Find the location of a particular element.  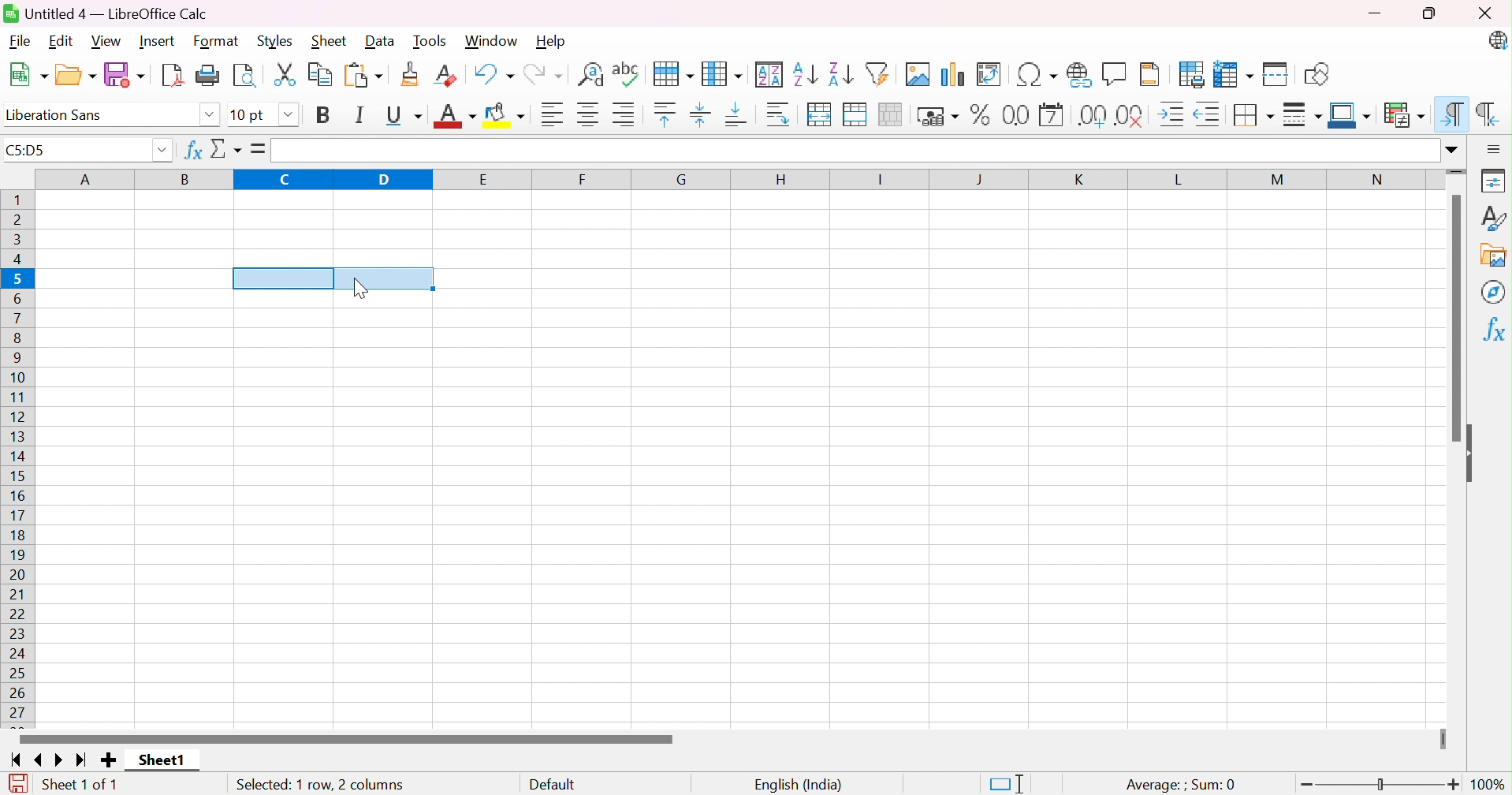

LibreOffice Calc is located at coordinates (1497, 42).